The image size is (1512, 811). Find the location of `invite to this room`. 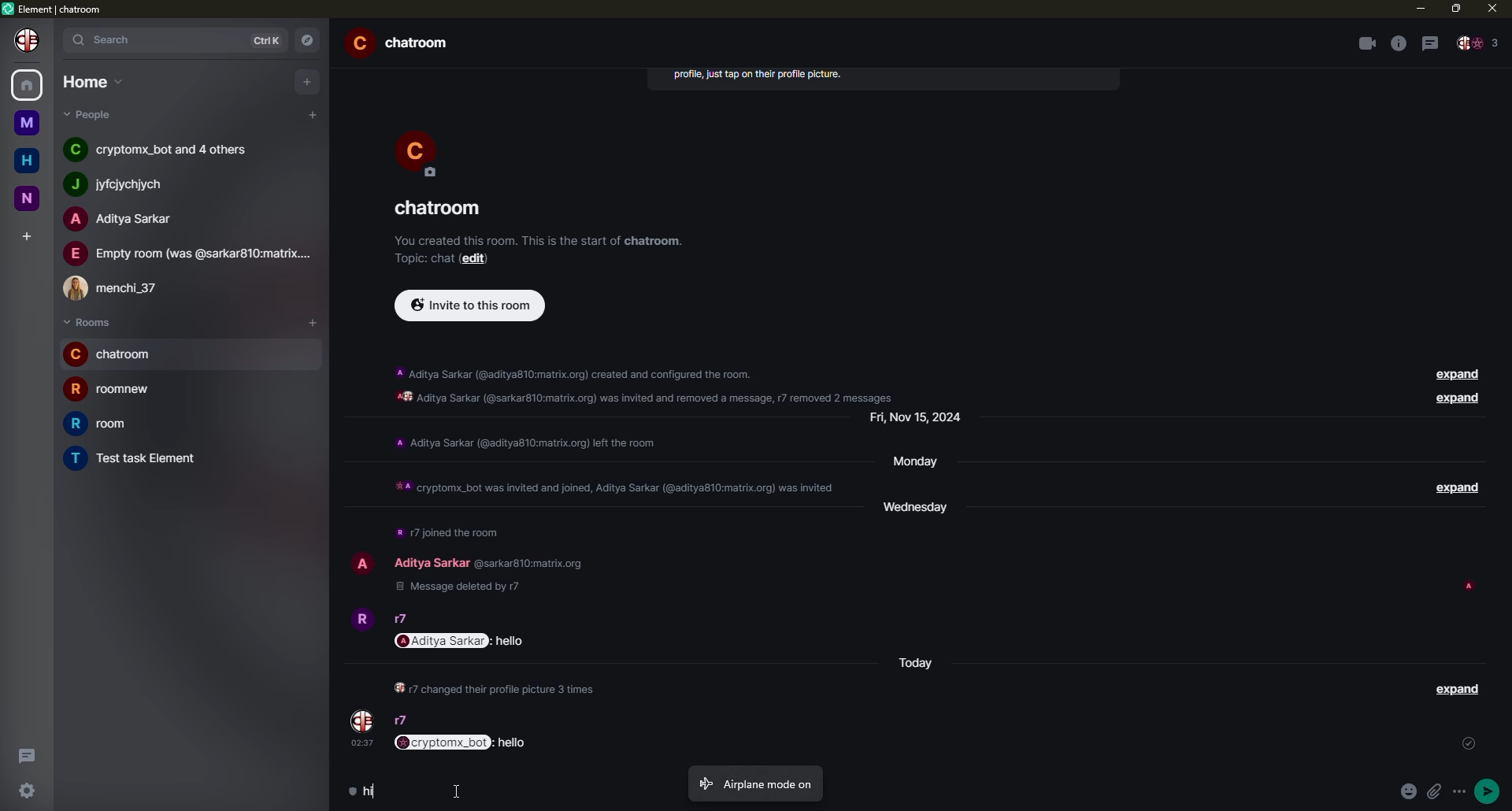

invite to this room is located at coordinates (473, 308).